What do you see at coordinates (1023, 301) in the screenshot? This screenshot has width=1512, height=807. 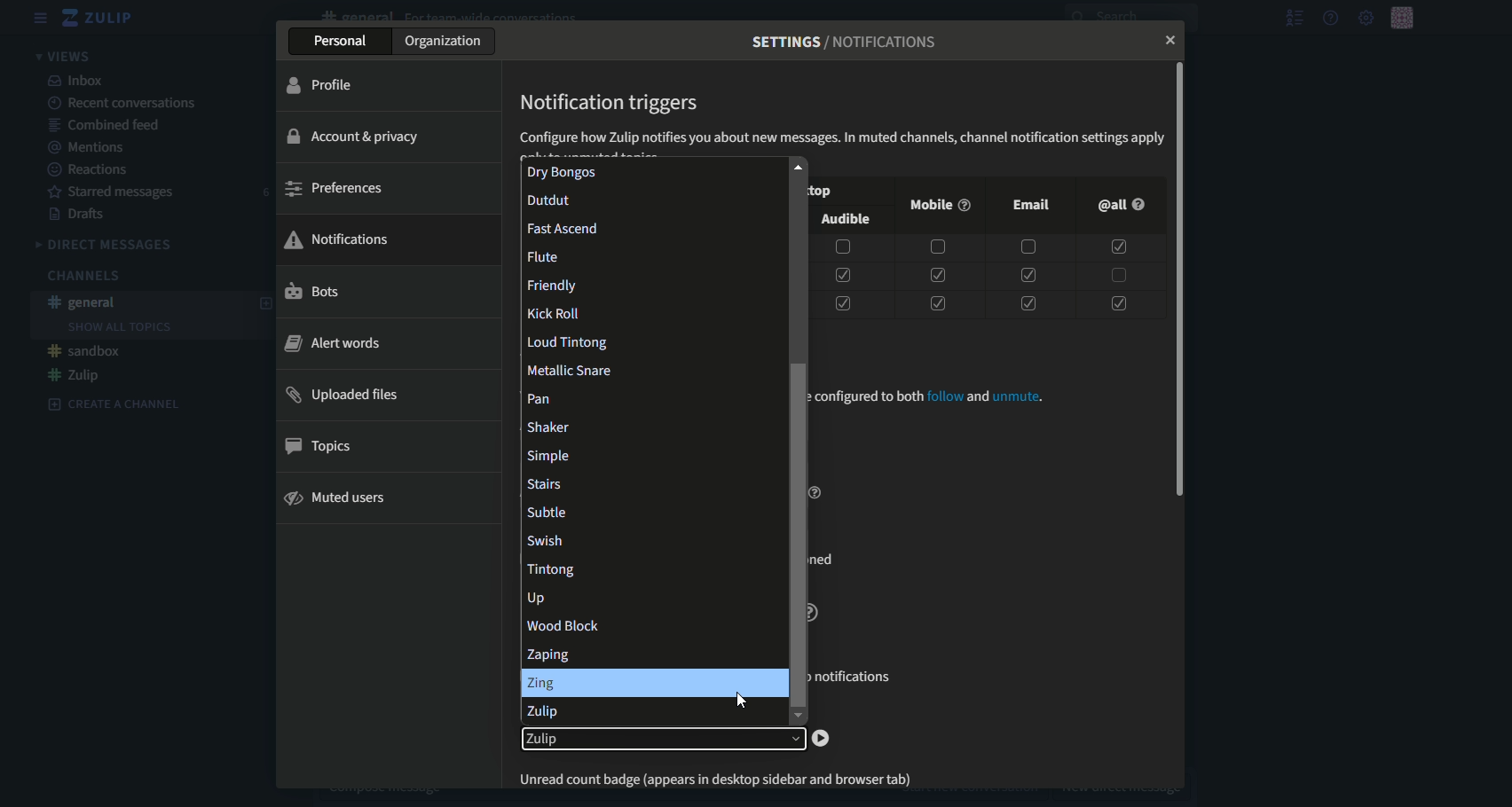 I see `checkbox` at bounding box center [1023, 301].